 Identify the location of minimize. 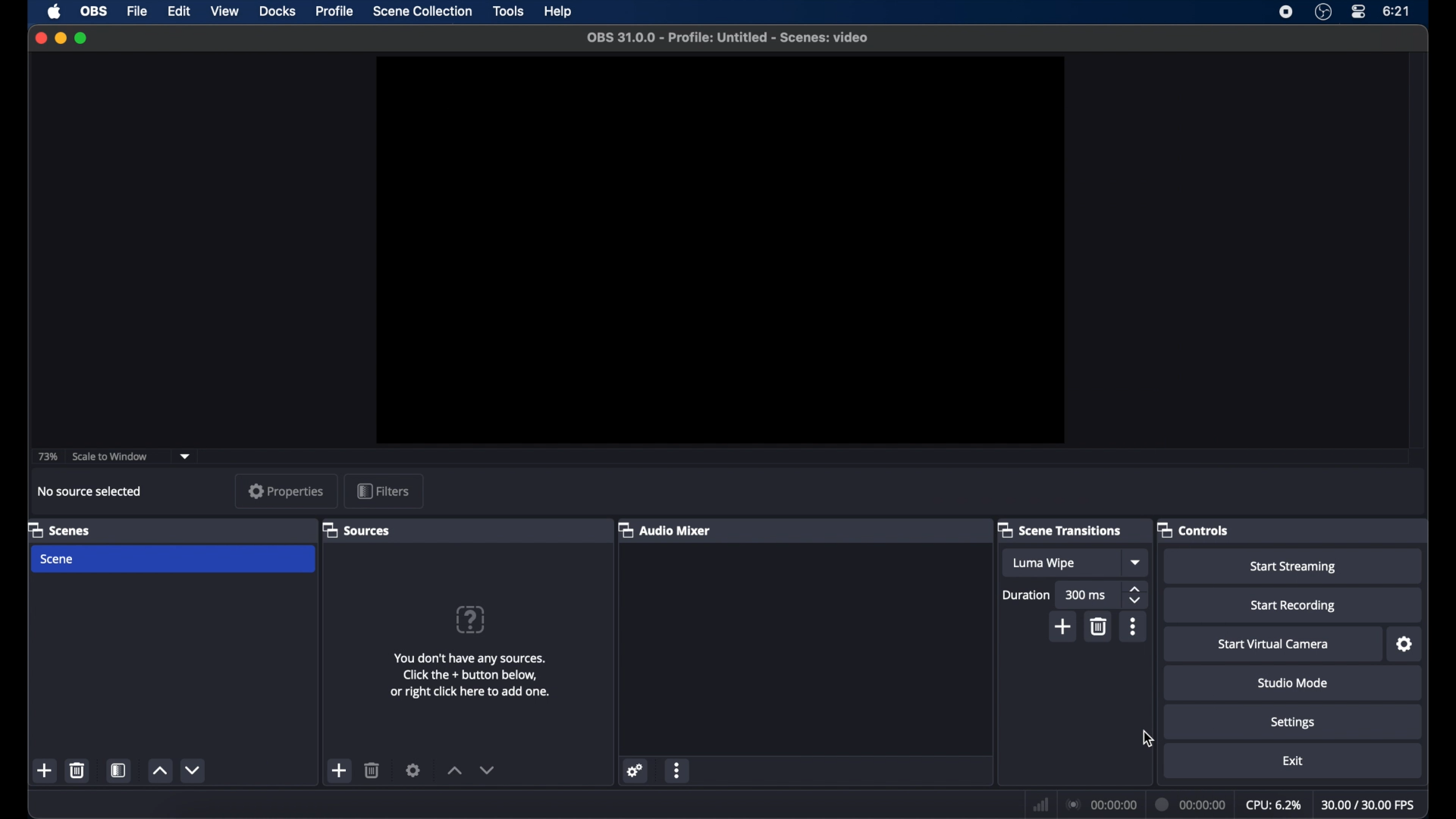
(60, 38).